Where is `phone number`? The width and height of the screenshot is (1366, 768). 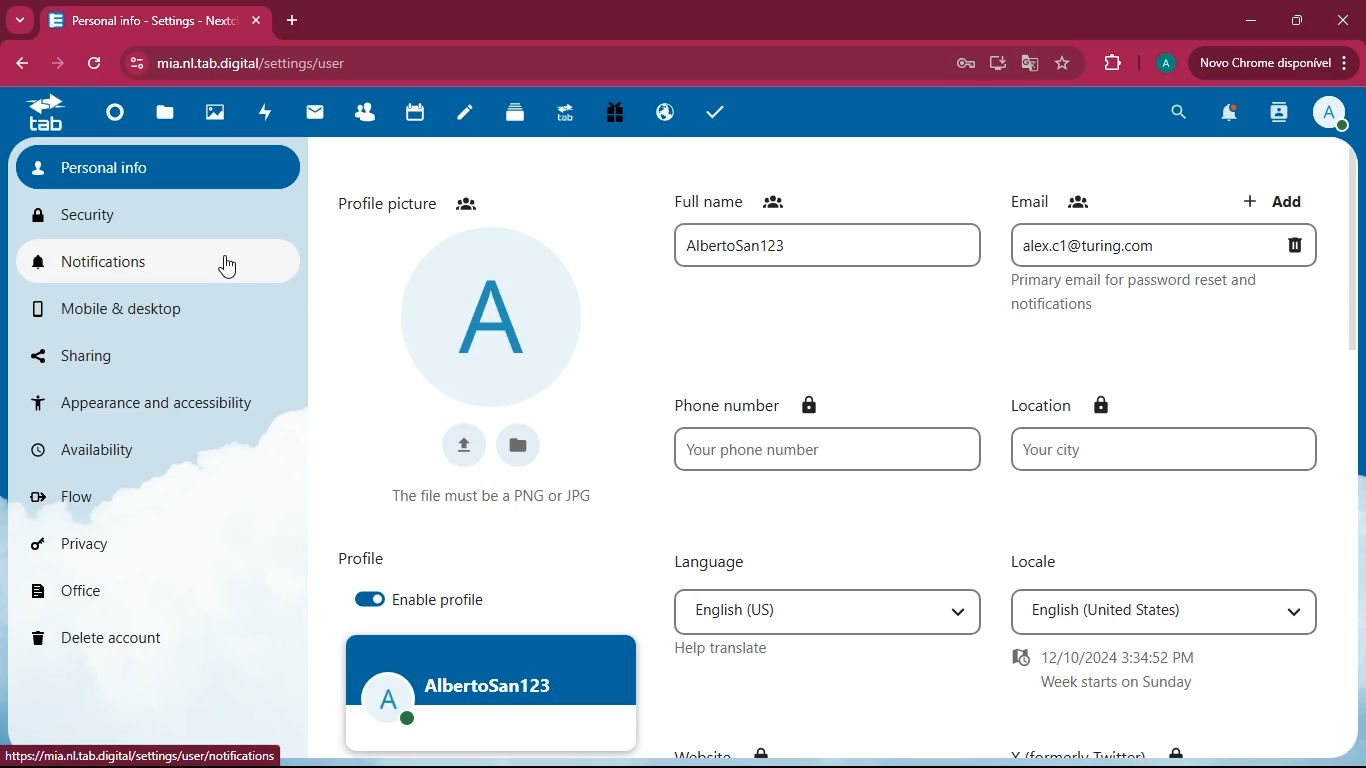 phone number is located at coordinates (778, 405).